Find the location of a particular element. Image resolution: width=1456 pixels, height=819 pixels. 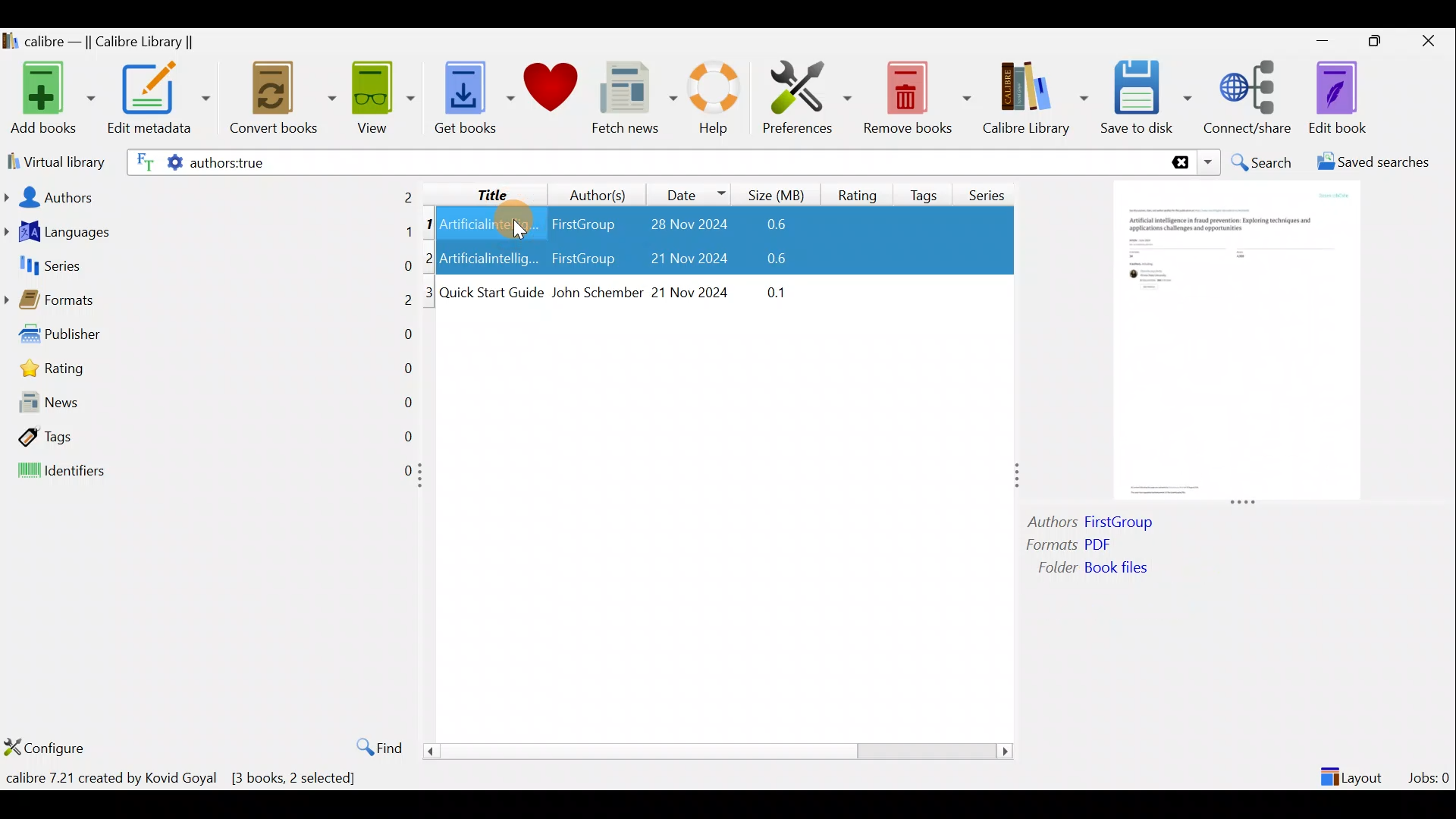

FirstGroup is located at coordinates (582, 221).